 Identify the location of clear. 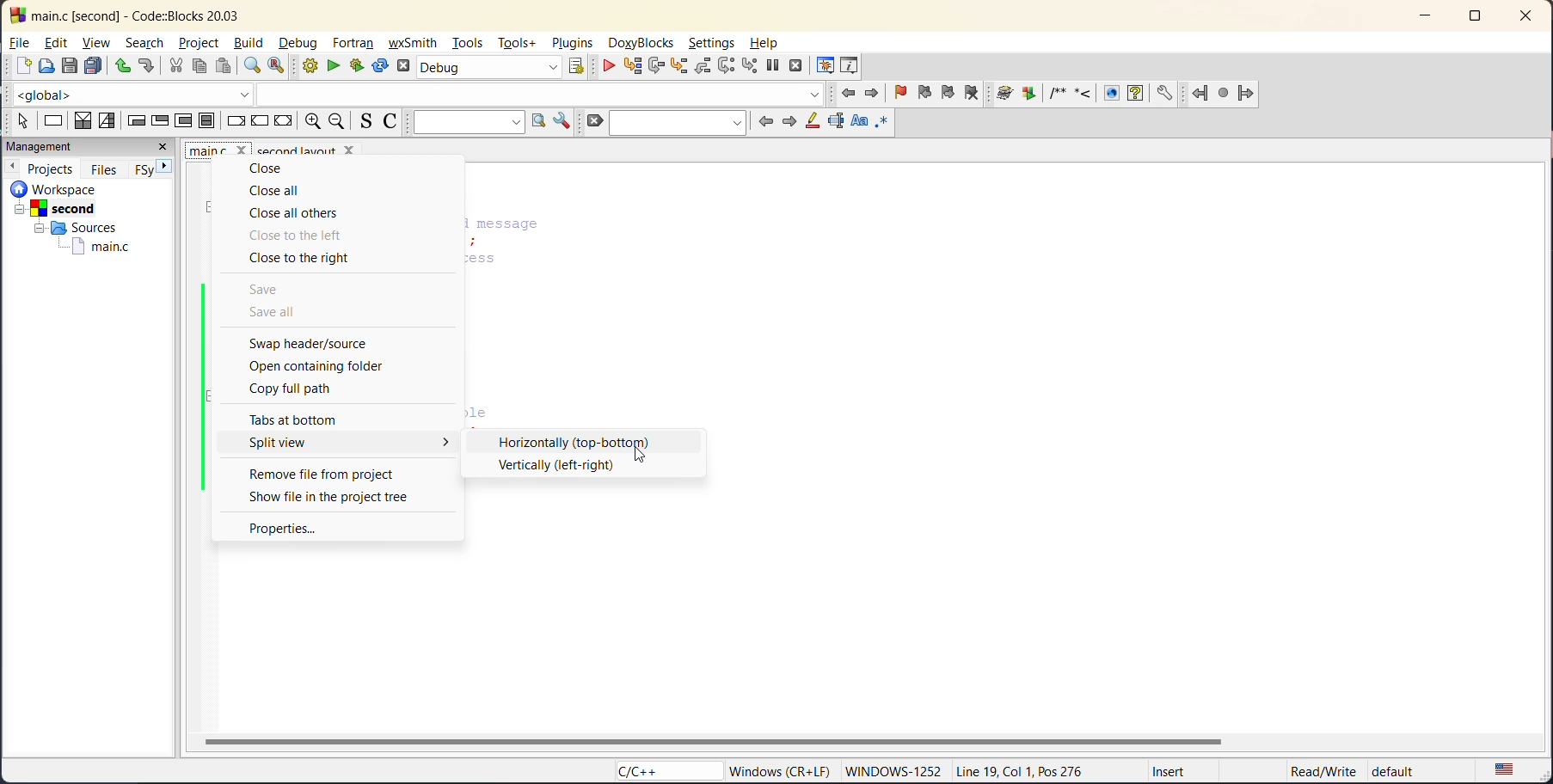
(592, 121).